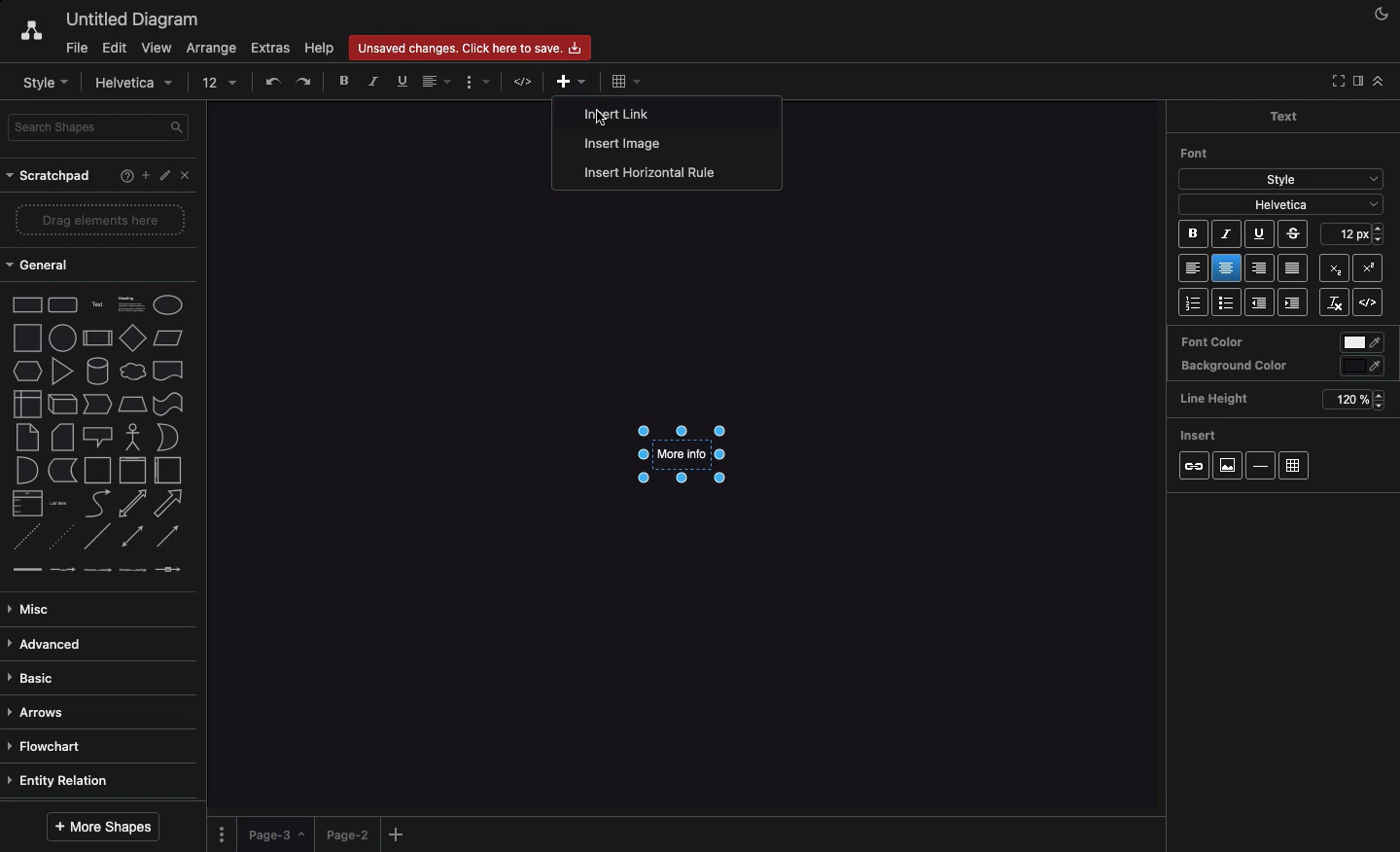  Describe the element at coordinates (1235, 367) in the screenshot. I see `Background color` at that location.